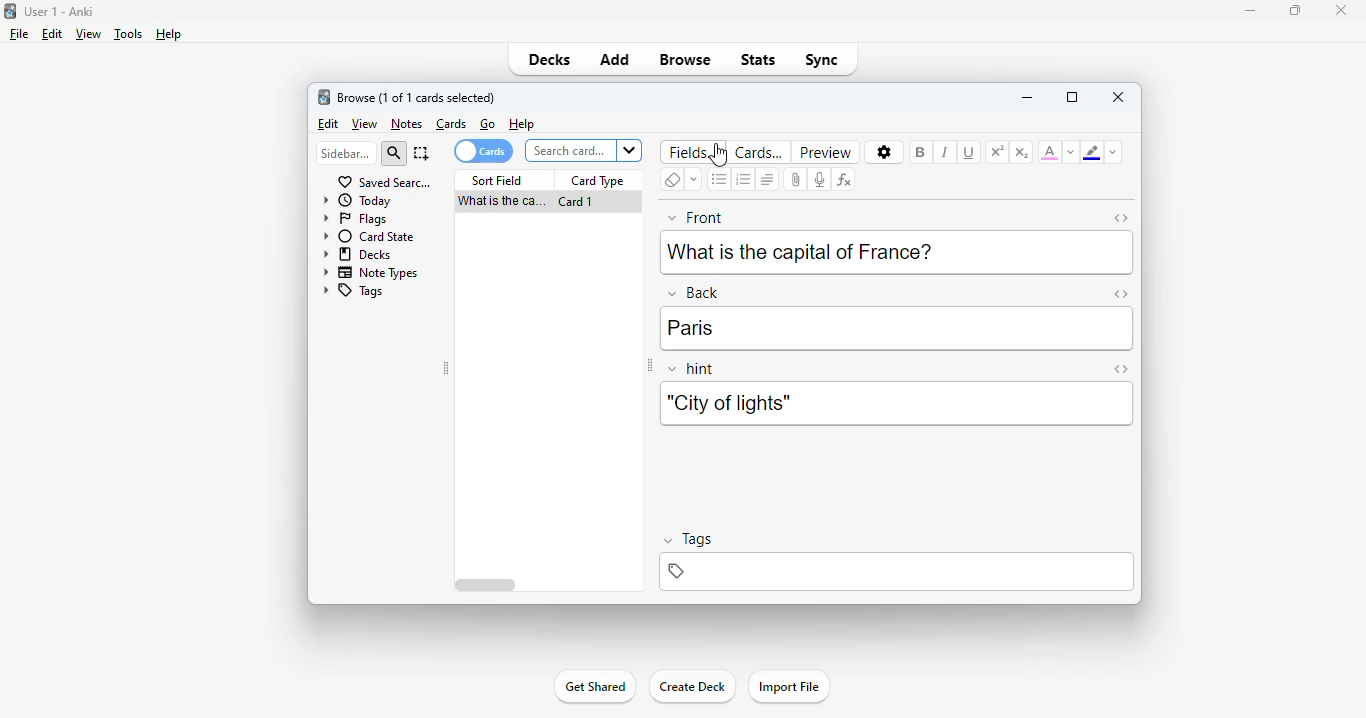 The image size is (1366, 718). Describe the element at coordinates (885, 153) in the screenshot. I see `options` at that location.